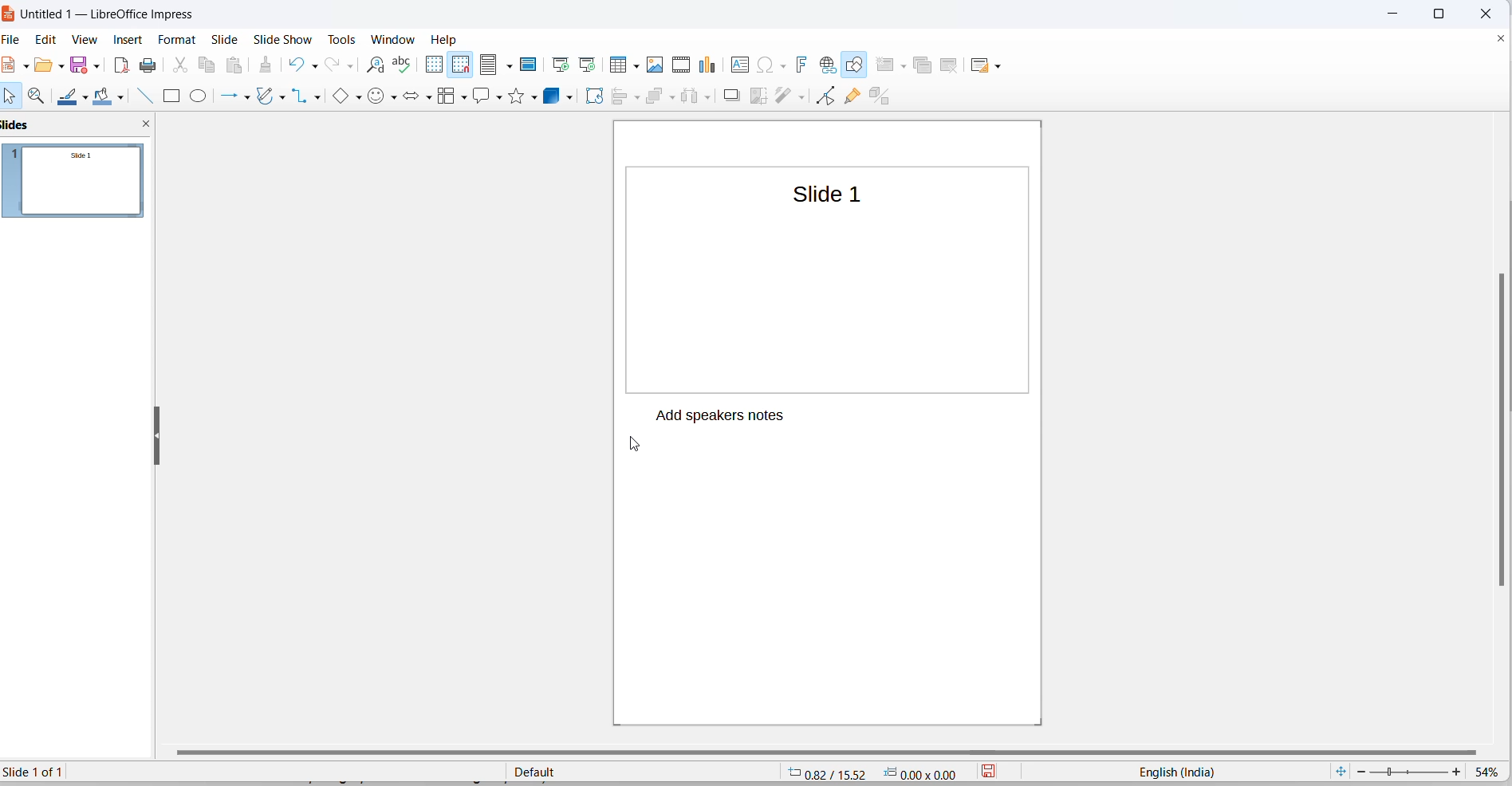 The image size is (1512, 786). I want to click on delete slide, so click(953, 64).